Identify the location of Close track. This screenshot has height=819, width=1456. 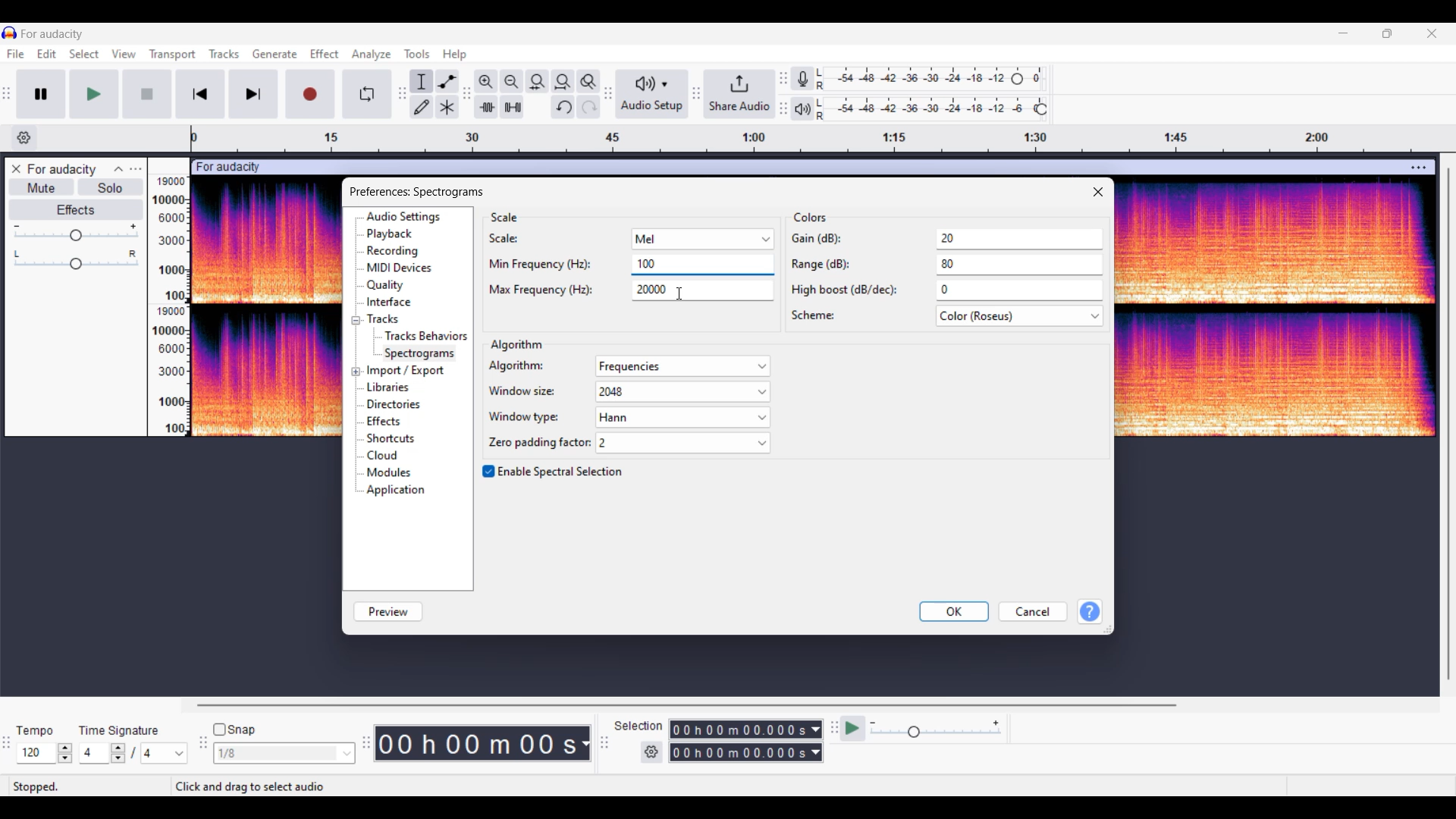
(16, 168).